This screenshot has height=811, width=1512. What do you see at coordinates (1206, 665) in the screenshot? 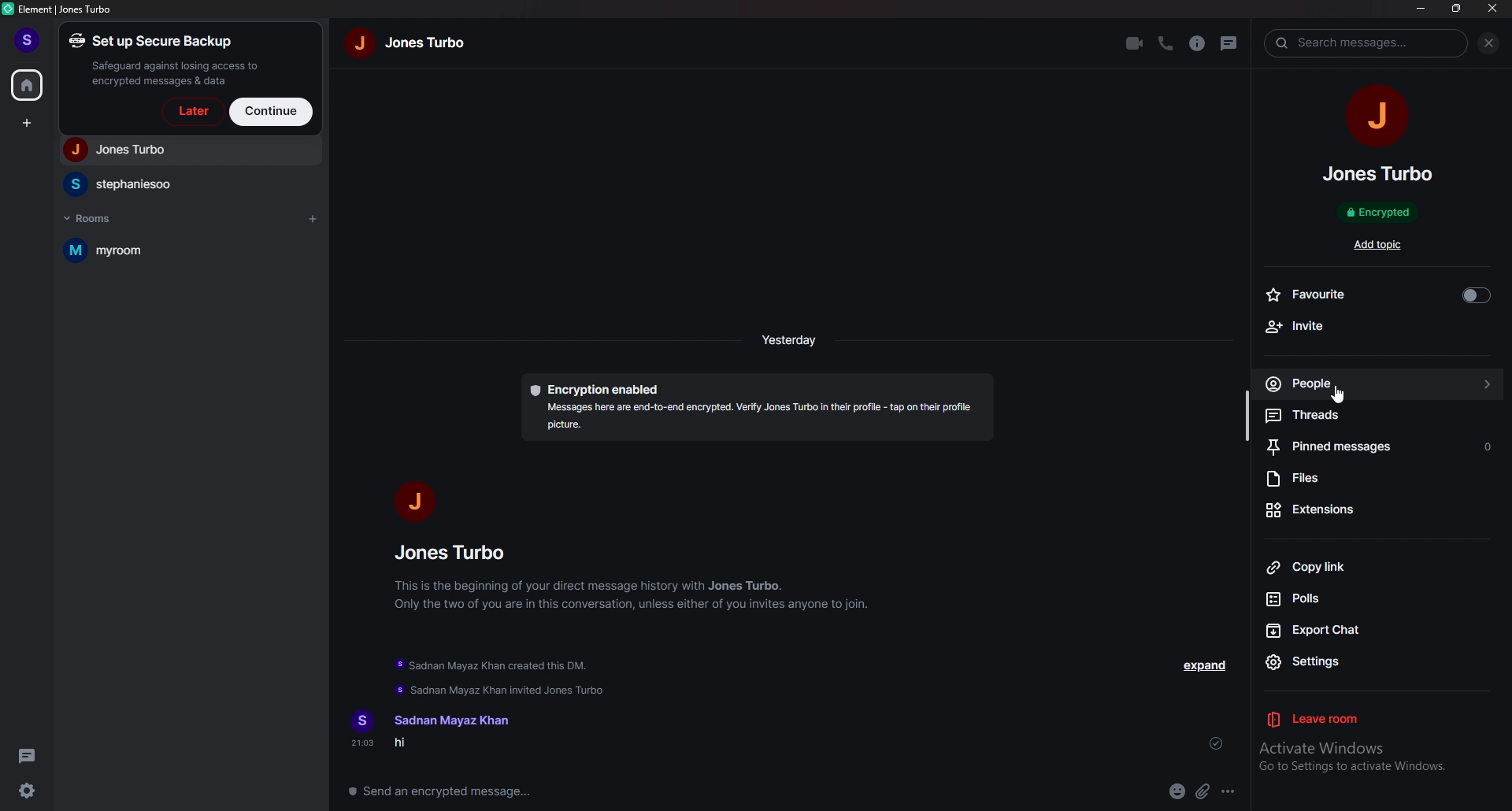
I see `expand` at bounding box center [1206, 665].